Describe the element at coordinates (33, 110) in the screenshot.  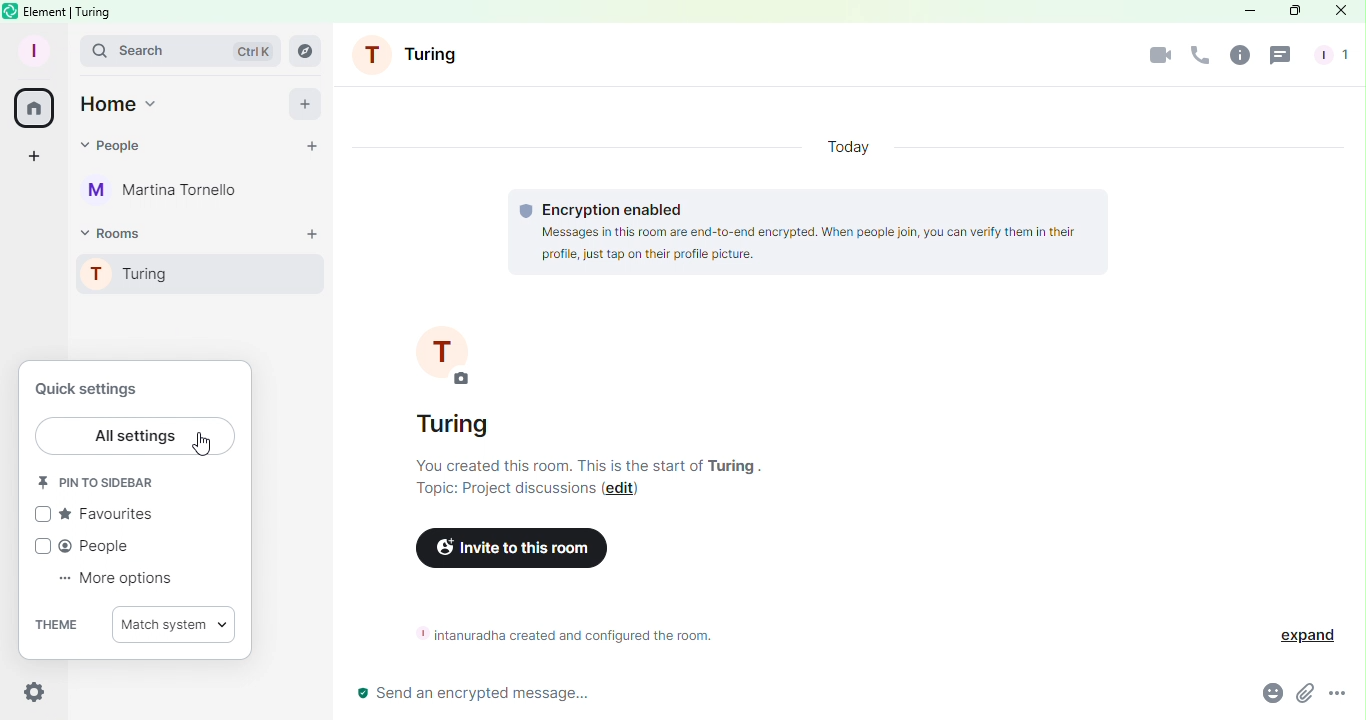
I see `Home` at that location.